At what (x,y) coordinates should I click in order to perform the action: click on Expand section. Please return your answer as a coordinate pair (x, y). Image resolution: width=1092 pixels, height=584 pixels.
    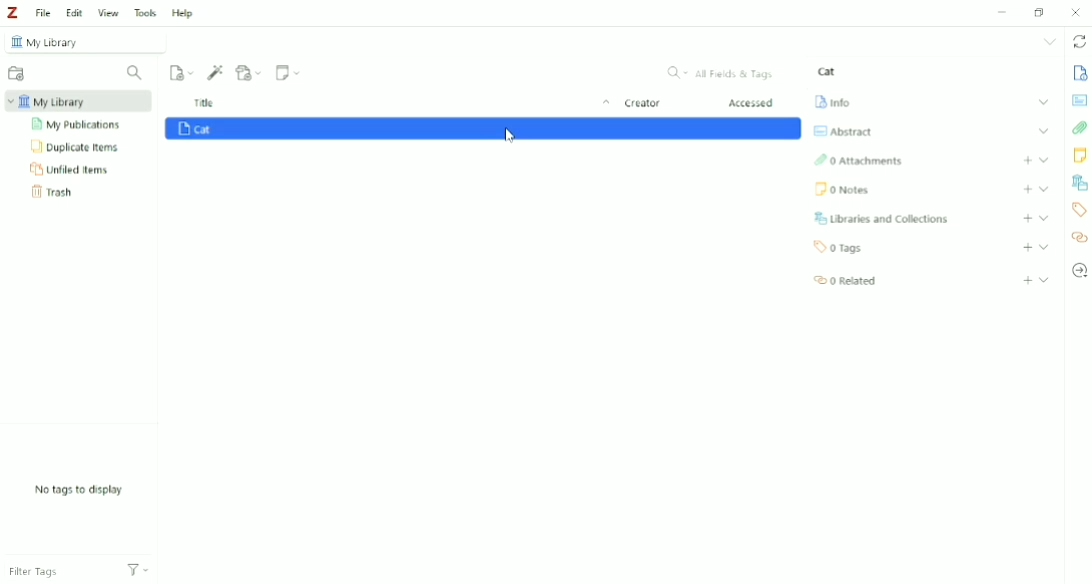
    Looking at the image, I should click on (1044, 247).